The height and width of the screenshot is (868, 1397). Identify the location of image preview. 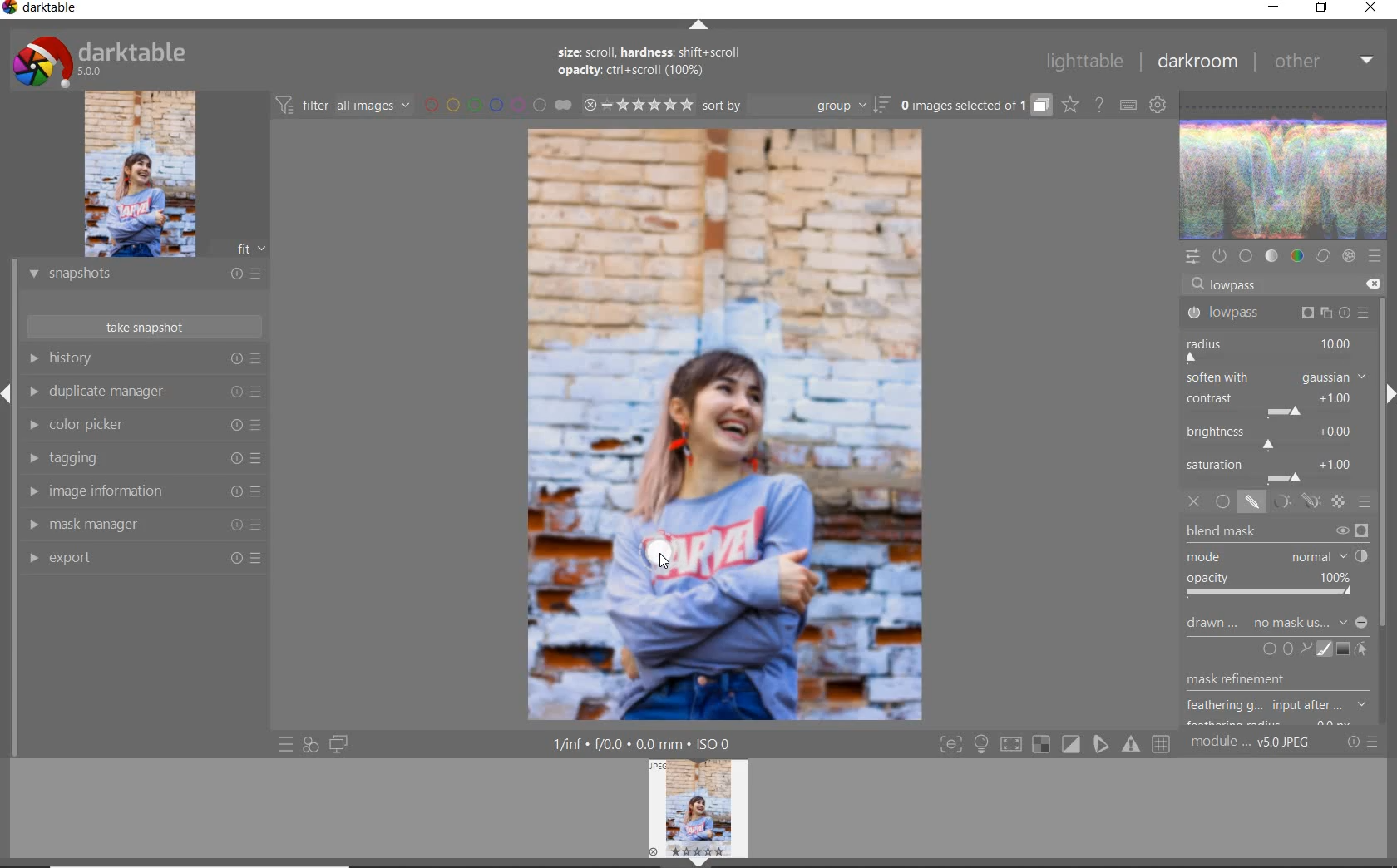
(703, 812).